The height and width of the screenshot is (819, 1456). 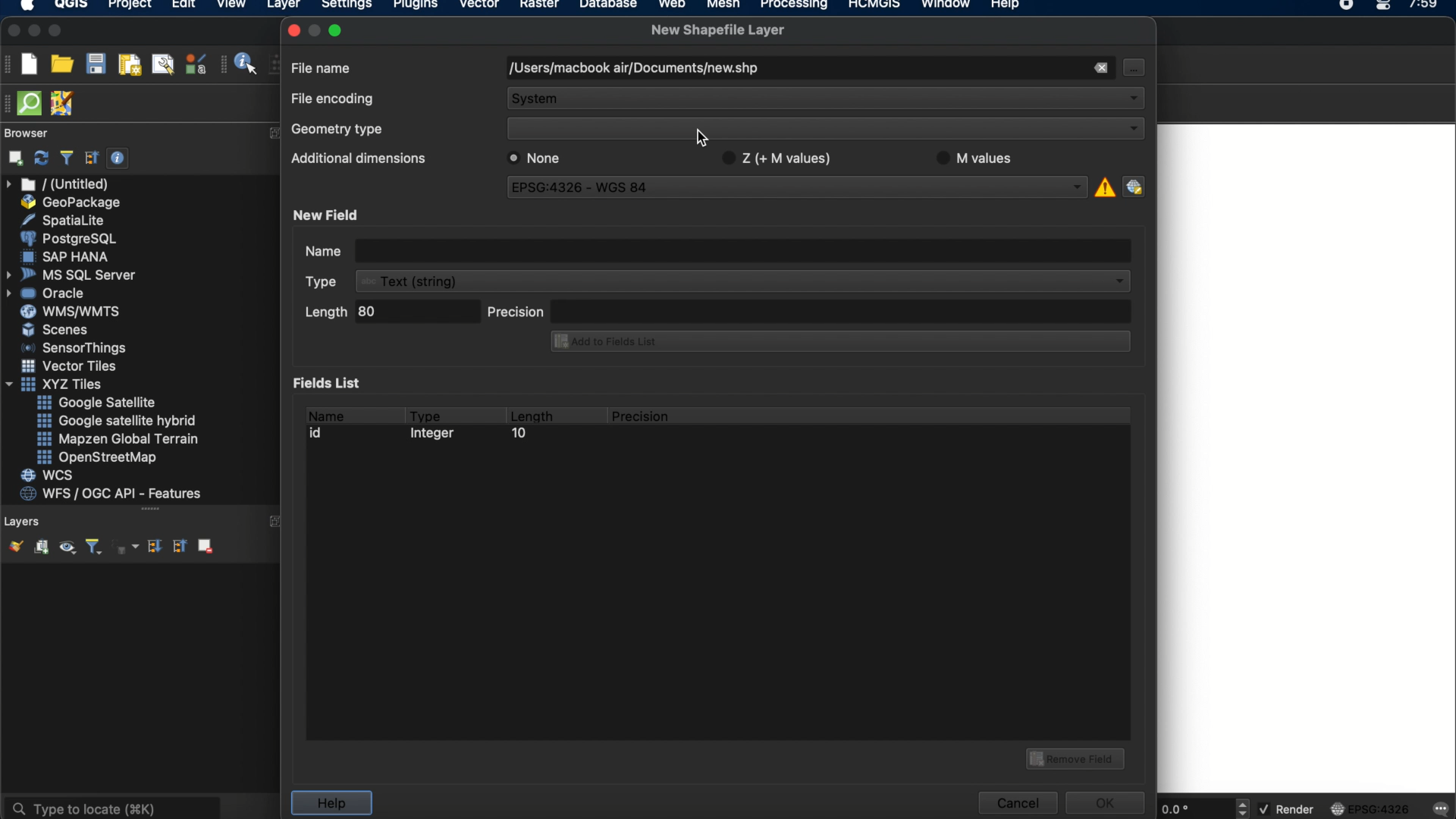 What do you see at coordinates (1100, 68) in the screenshot?
I see `remove` at bounding box center [1100, 68].